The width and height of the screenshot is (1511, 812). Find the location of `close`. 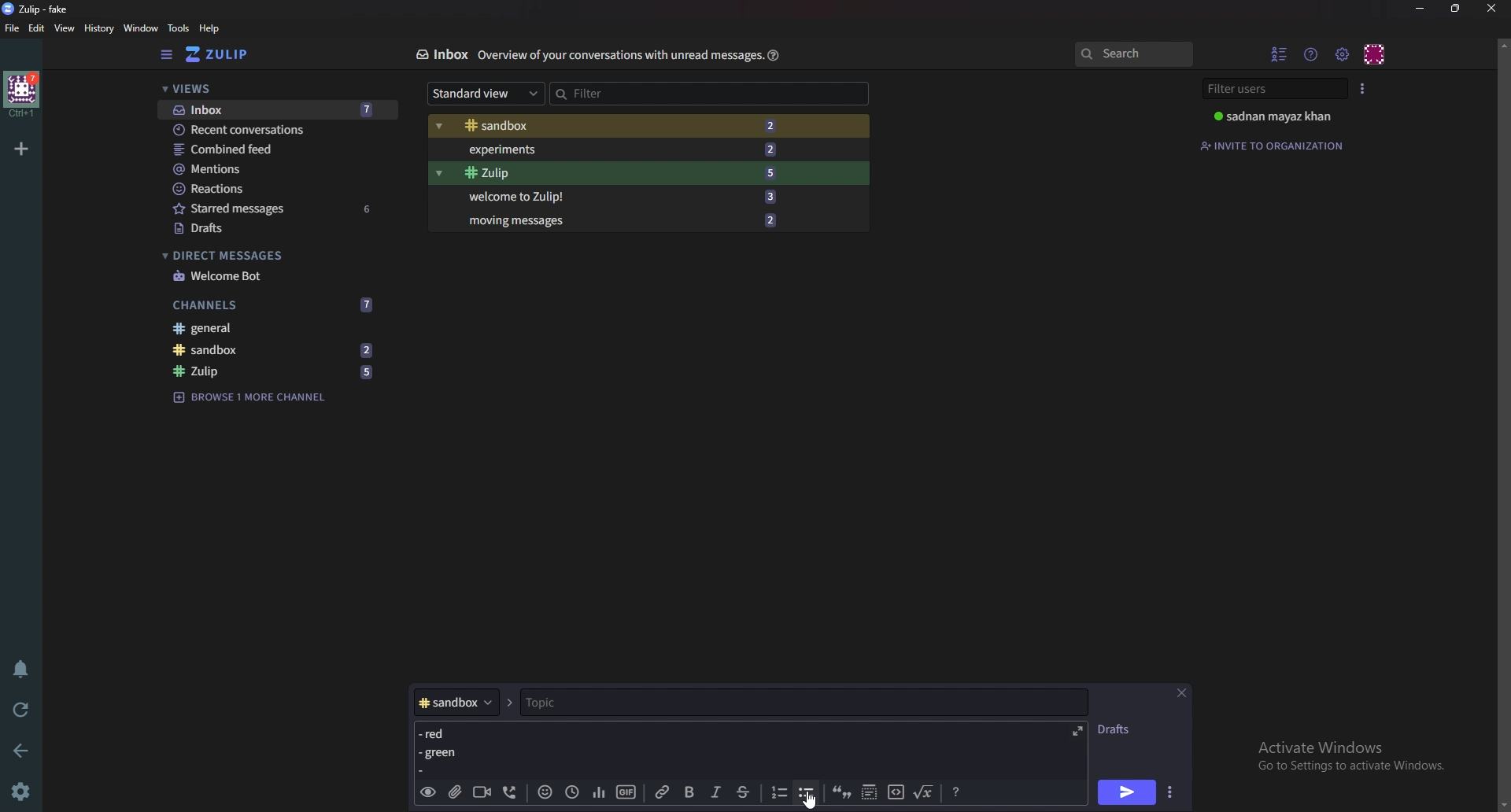

close is located at coordinates (1490, 8).